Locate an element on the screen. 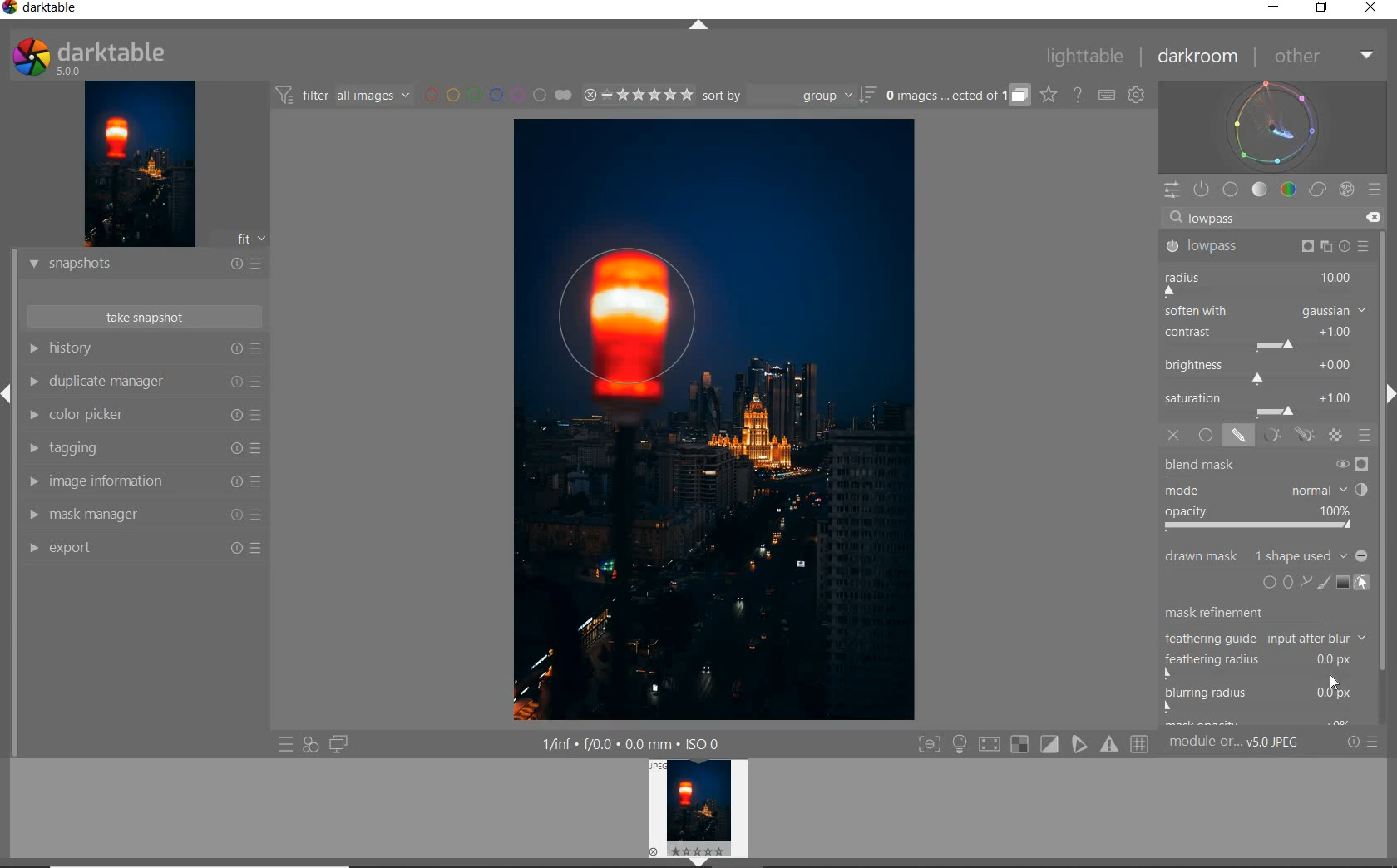 This screenshot has height=868, width=1397. SHOW & EDIT MASK ELEMENTS is located at coordinates (1362, 584).